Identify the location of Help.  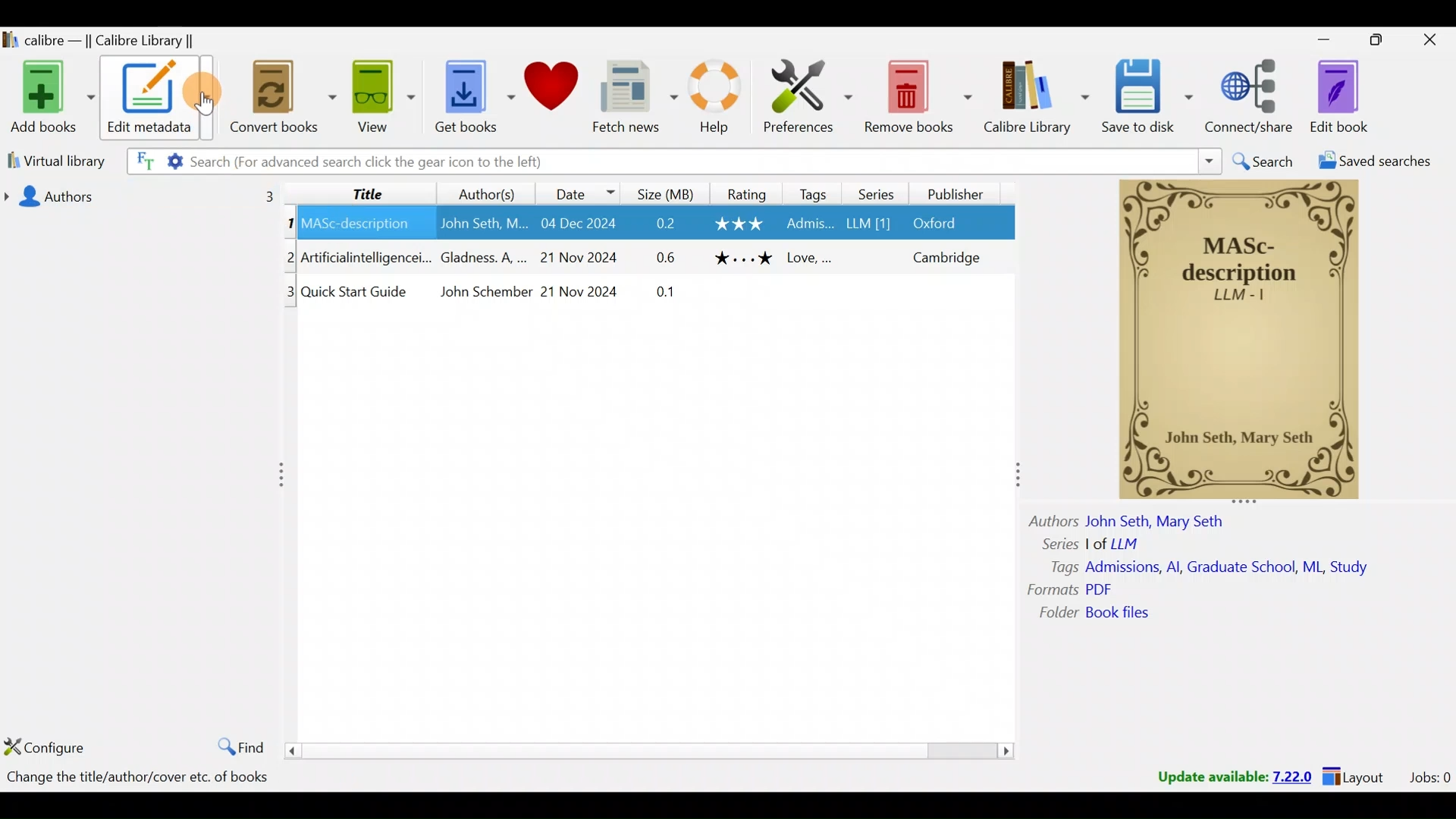
(721, 102).